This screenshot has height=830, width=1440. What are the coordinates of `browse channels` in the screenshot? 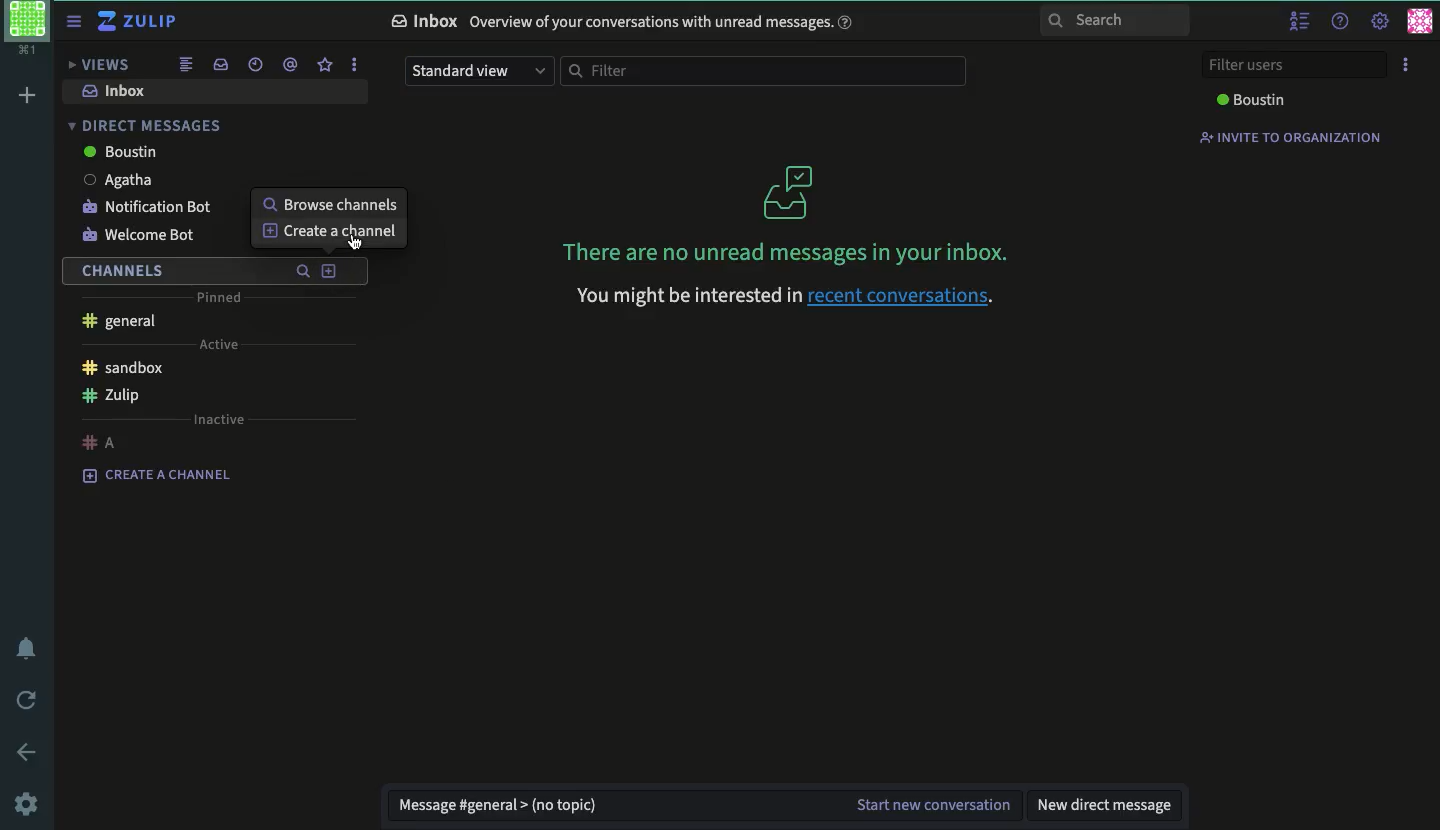 It's located at (332, 203).